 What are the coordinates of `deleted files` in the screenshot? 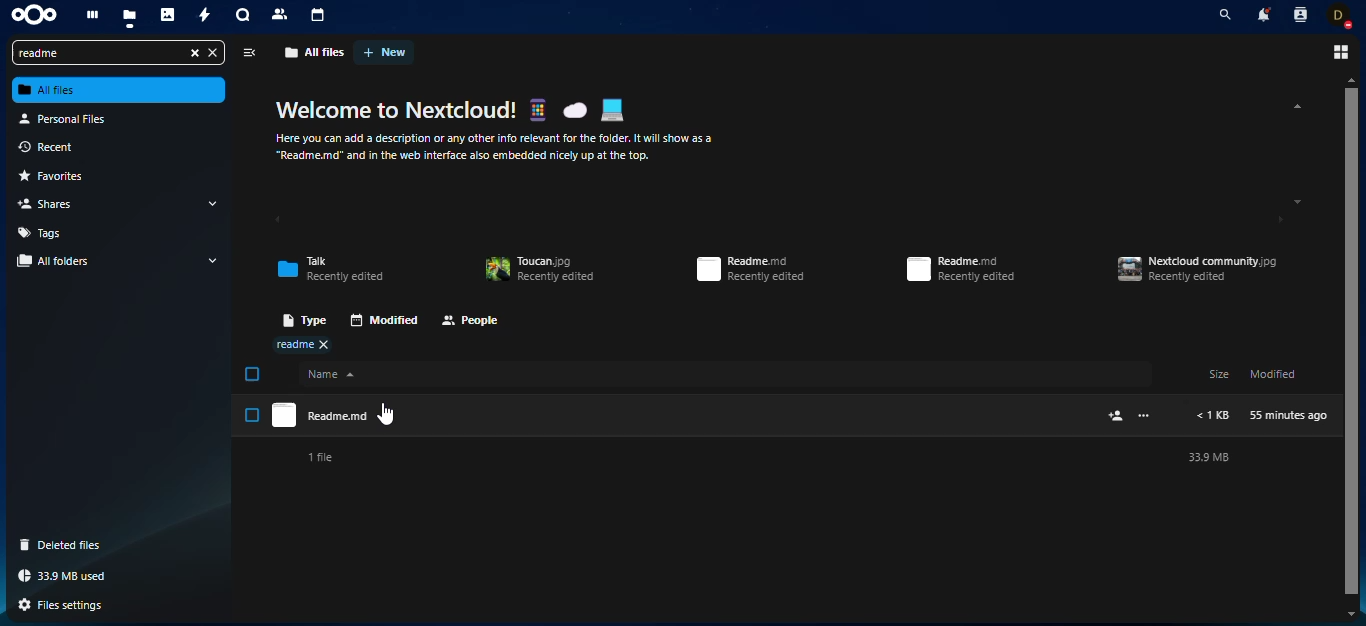 It's located at (66, 545).